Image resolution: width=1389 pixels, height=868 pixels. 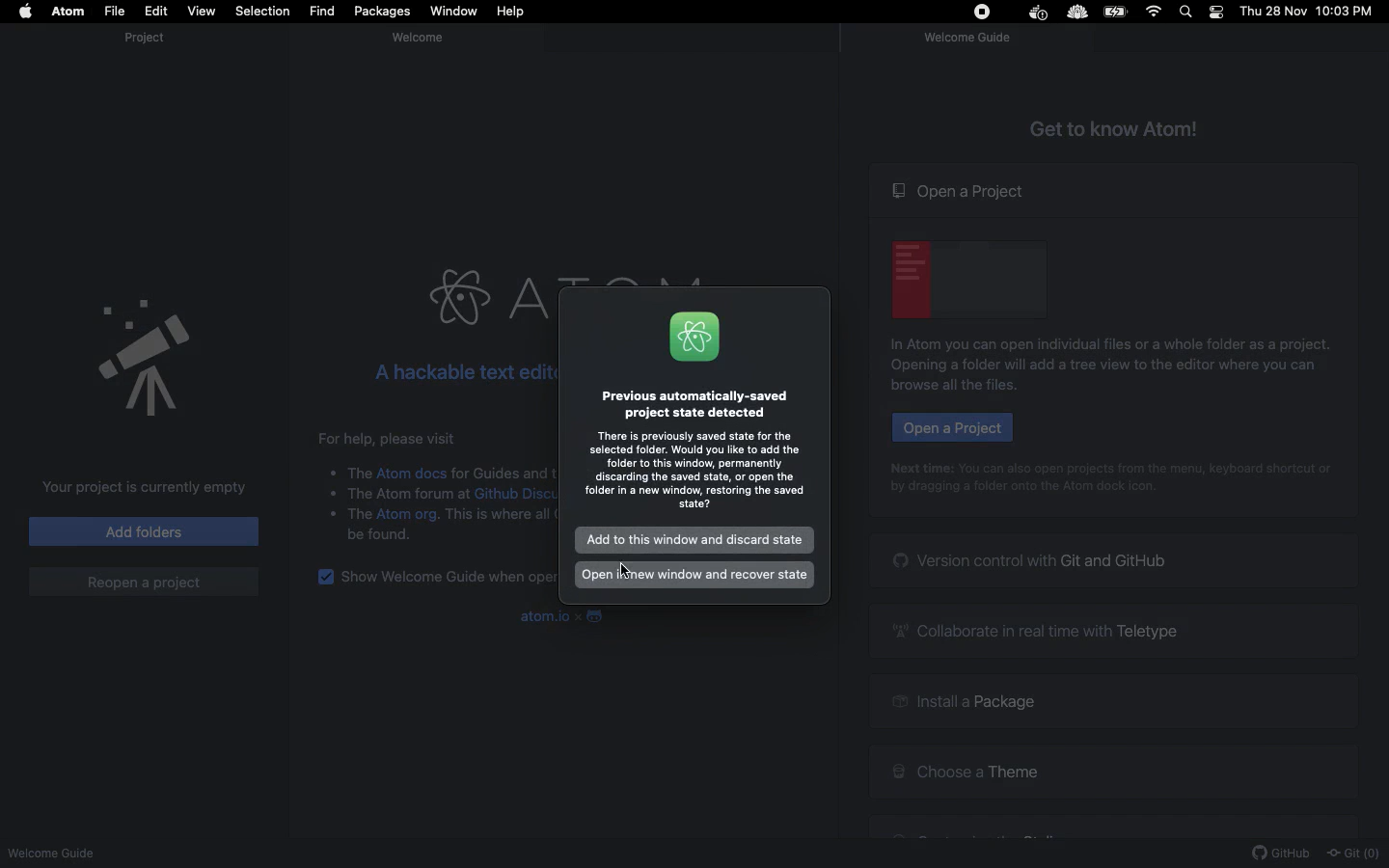 I want to click on Instructional text, so click(x=694, y=403).